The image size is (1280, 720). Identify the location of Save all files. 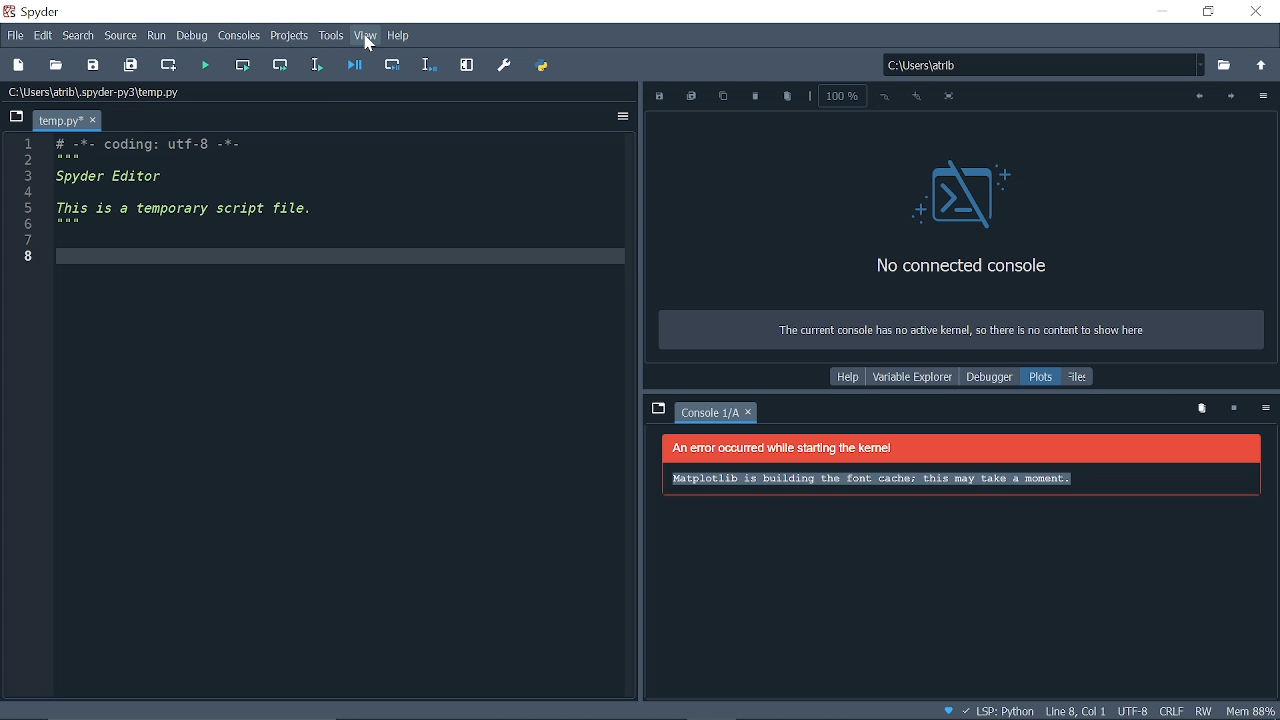
(132, 63).